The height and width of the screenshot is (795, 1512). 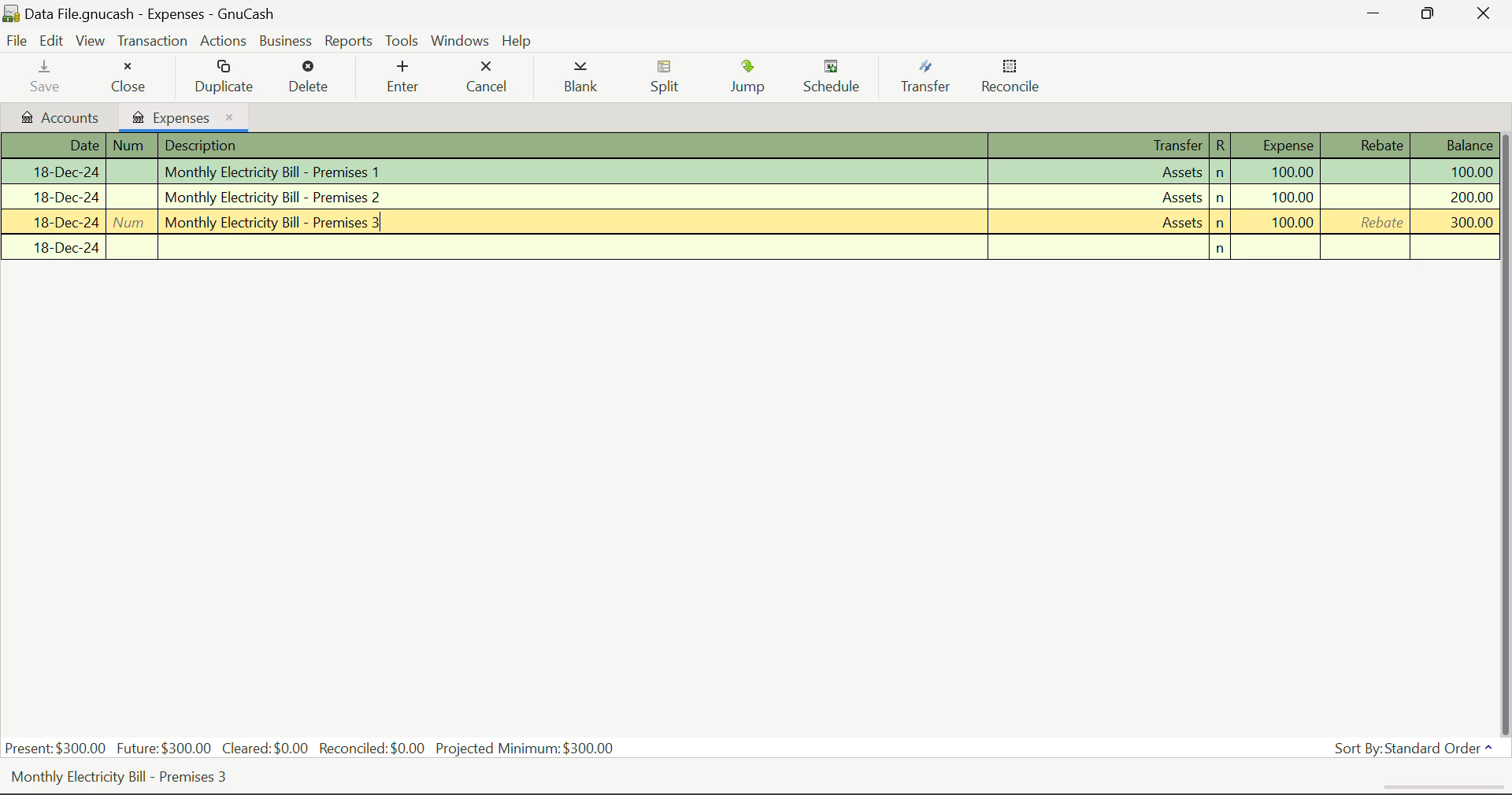 I want to click on Actions, so click(x=223, y=41).